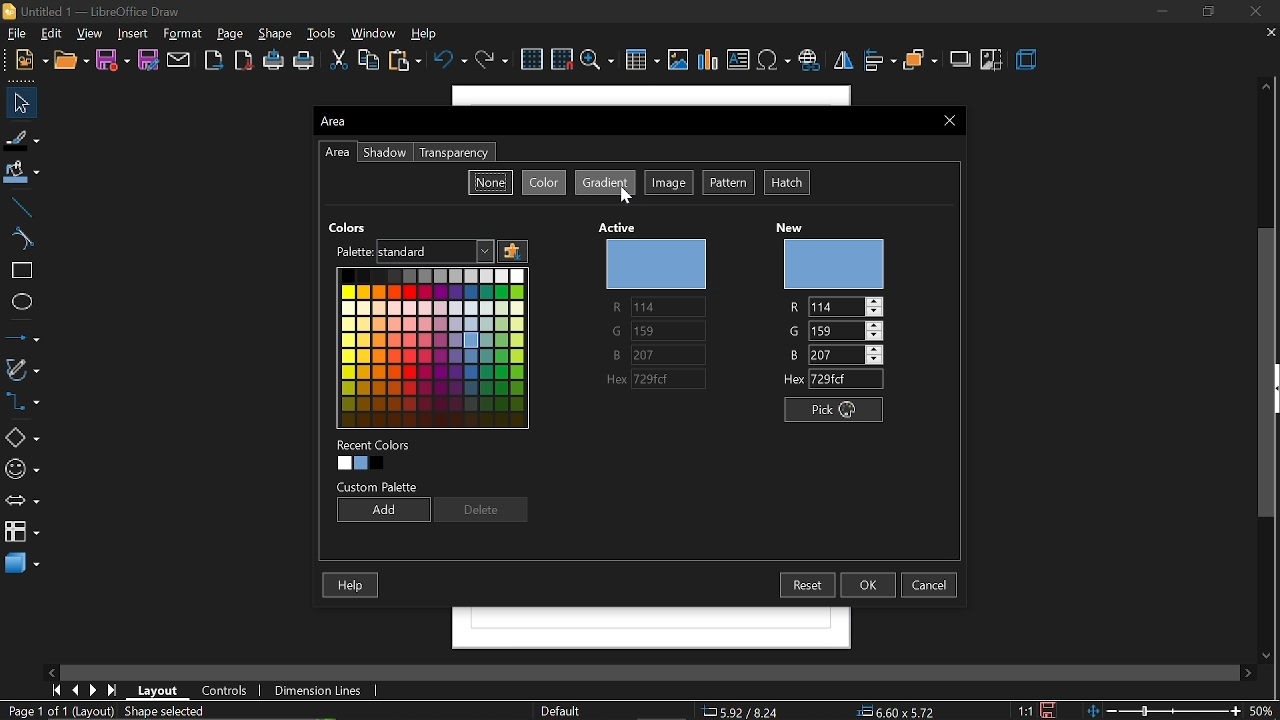 Image resolution: width=1280 pixels, height=720 pixels. I want to click on file, so click(14, 34).